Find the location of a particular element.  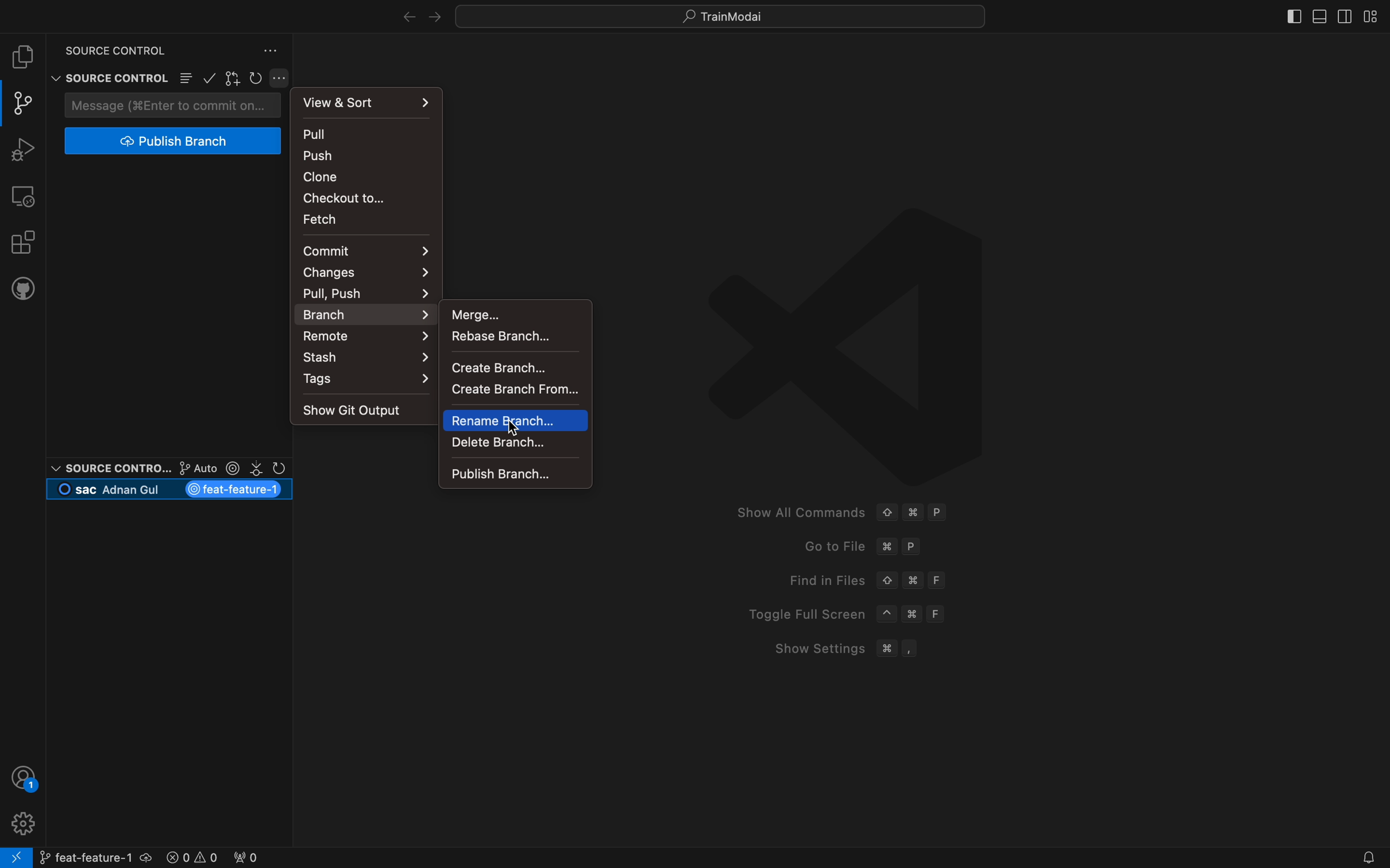

git settings is located at coordinates (281, 78).